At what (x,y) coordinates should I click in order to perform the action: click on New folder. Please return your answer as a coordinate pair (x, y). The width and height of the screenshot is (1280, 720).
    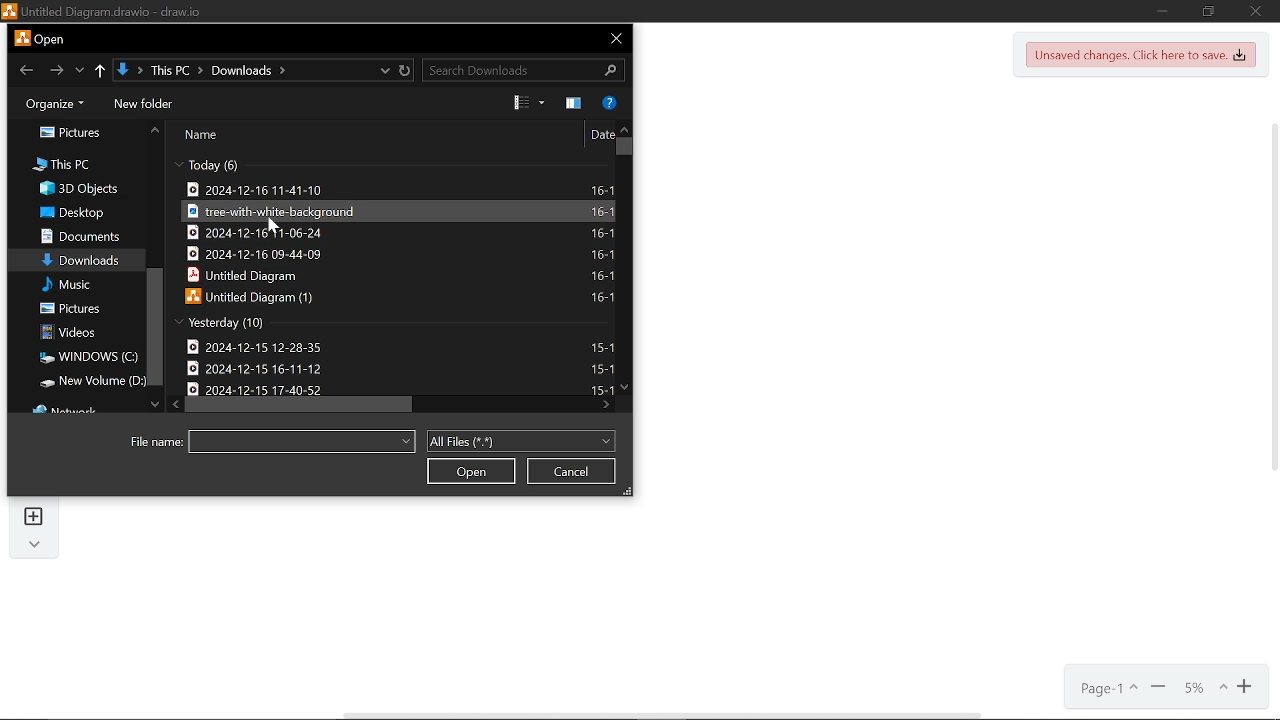
    Looking at the image, I should click on (146, 103).